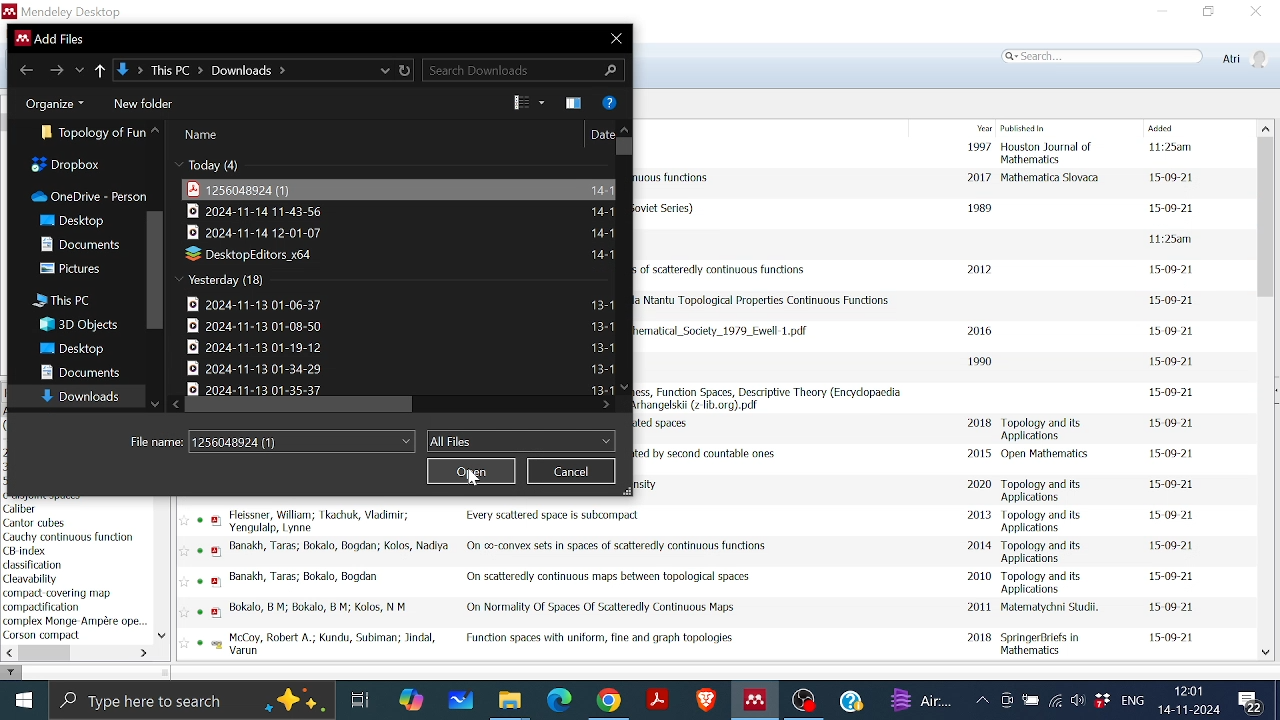  I want to click on Search, so click(1102, 55).